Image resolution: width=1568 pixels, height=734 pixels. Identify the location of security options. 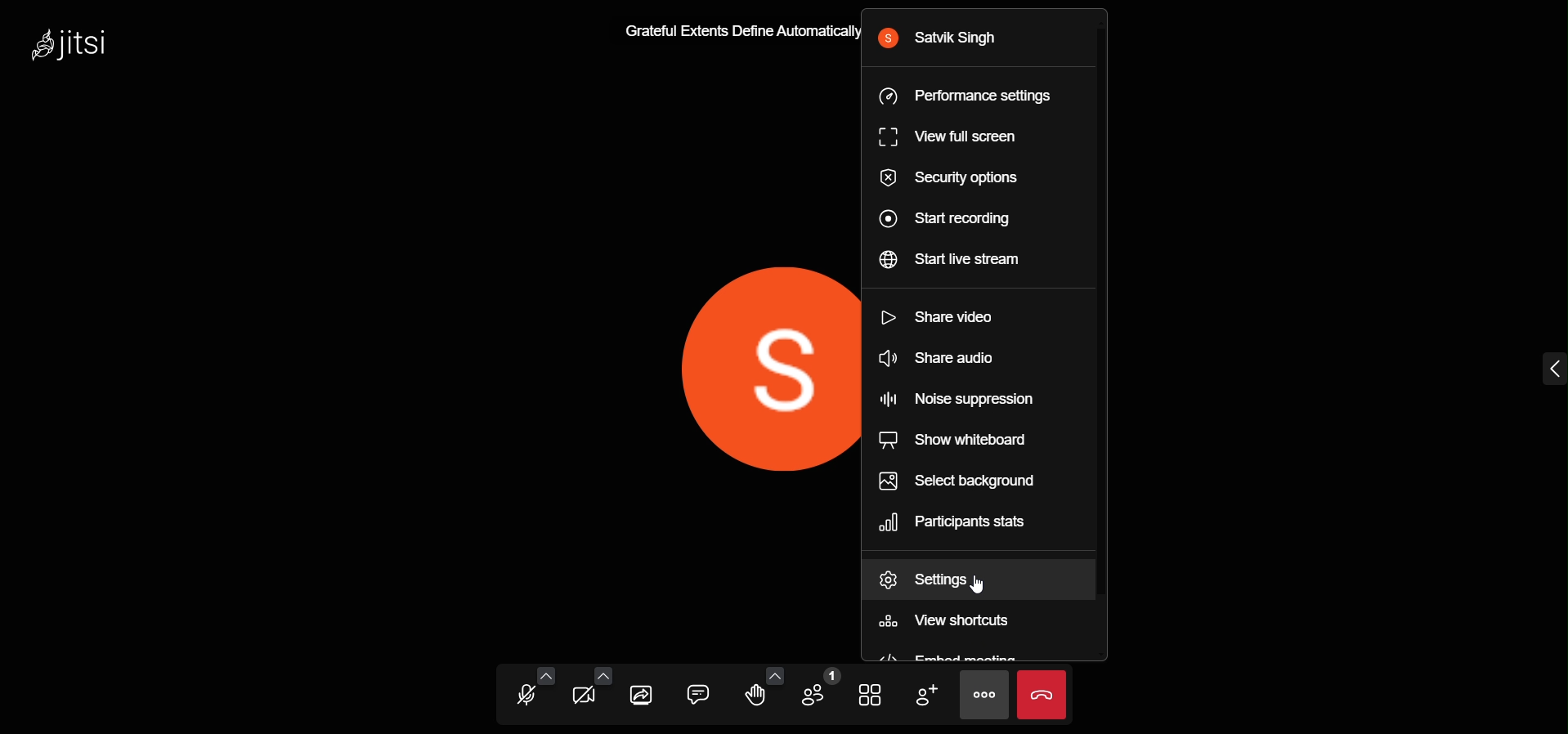
(956, 175).